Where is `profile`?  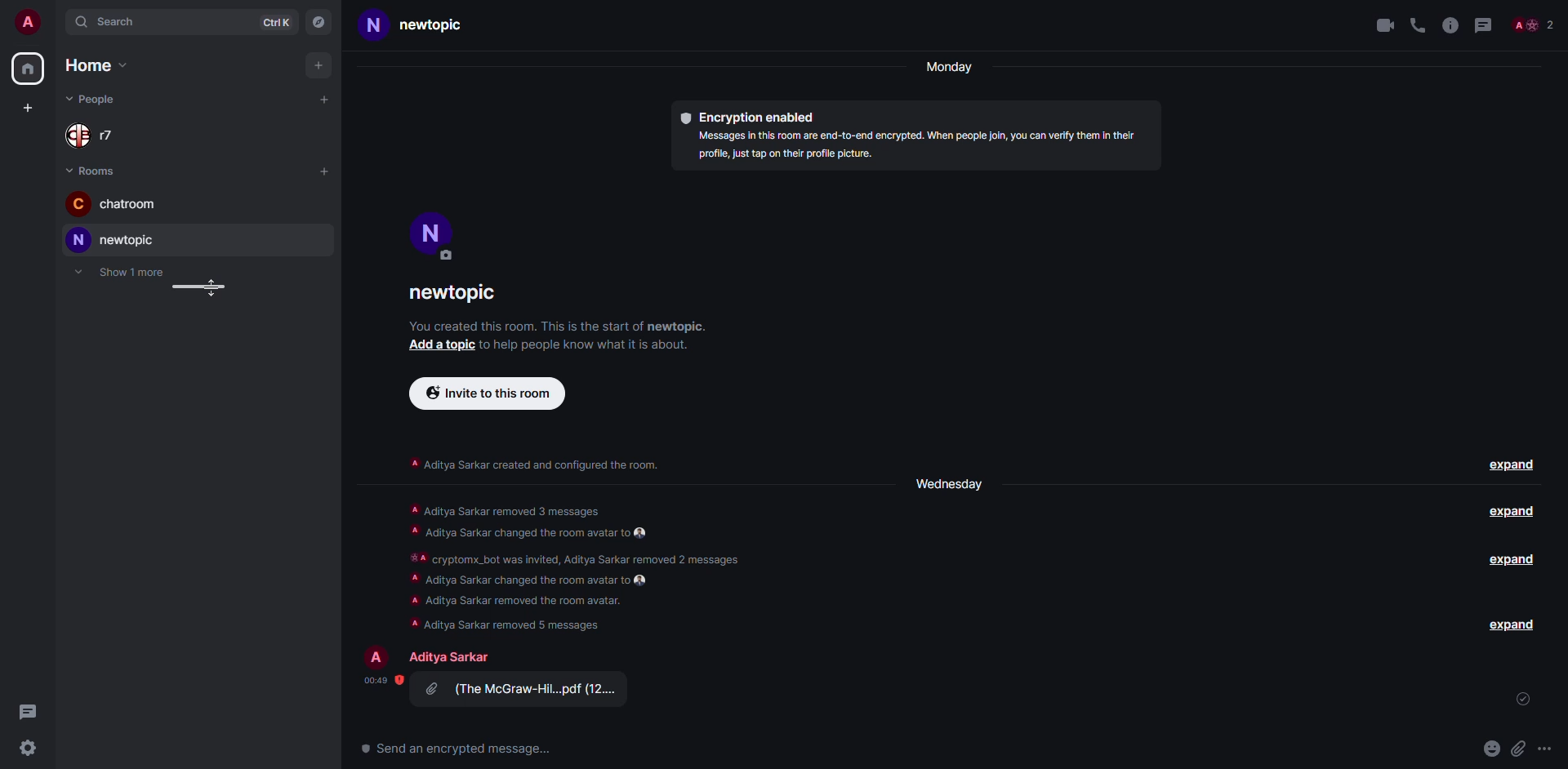 profile is located at coordinates (432, 235).